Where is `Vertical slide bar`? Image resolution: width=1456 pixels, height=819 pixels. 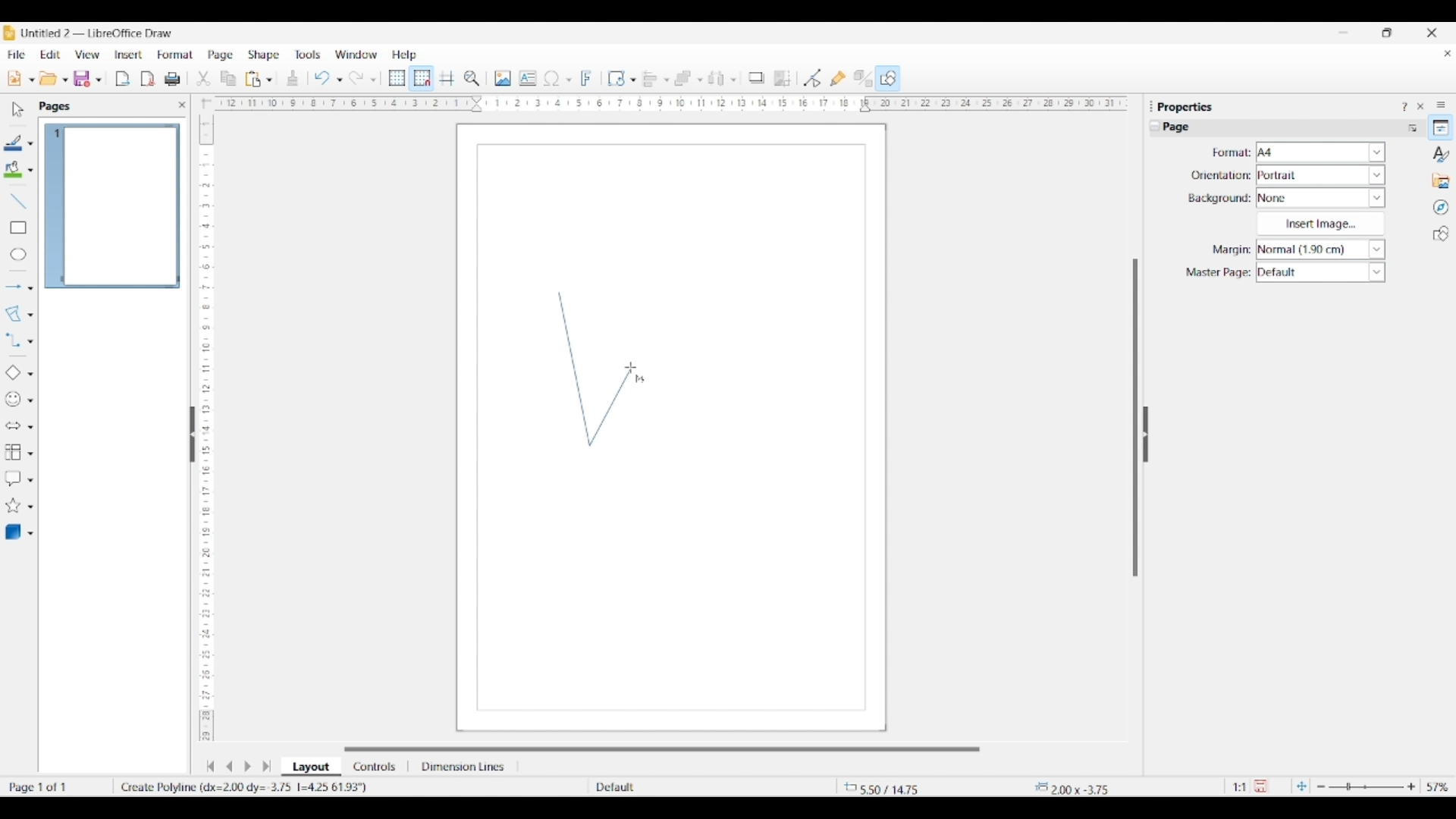 Vertical slide bar is located at coordinates (1135, 418).